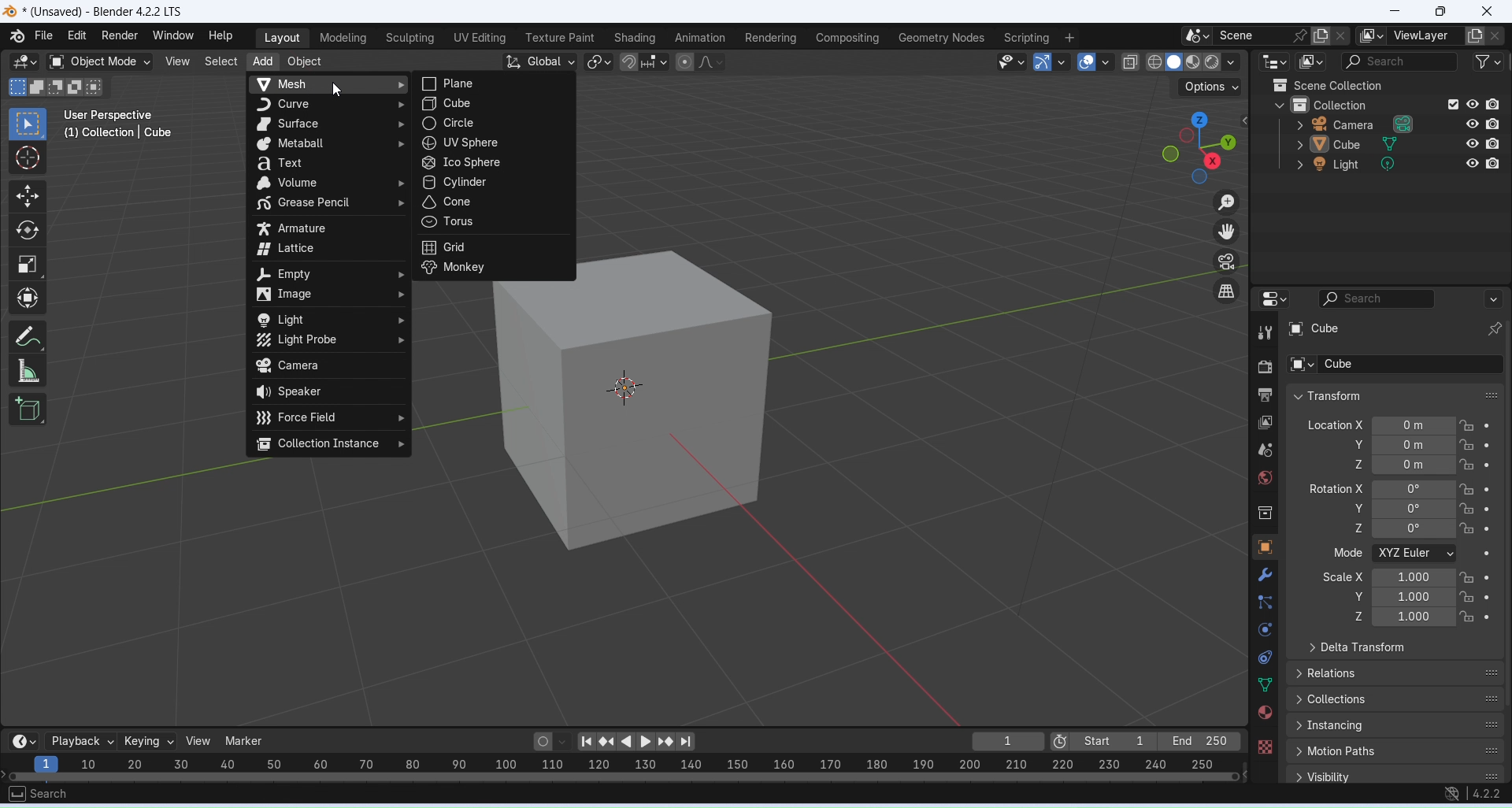 Image resolution: width=1512 pixels, height=808 pixels. I want to click on 1, so click(1008, 741).